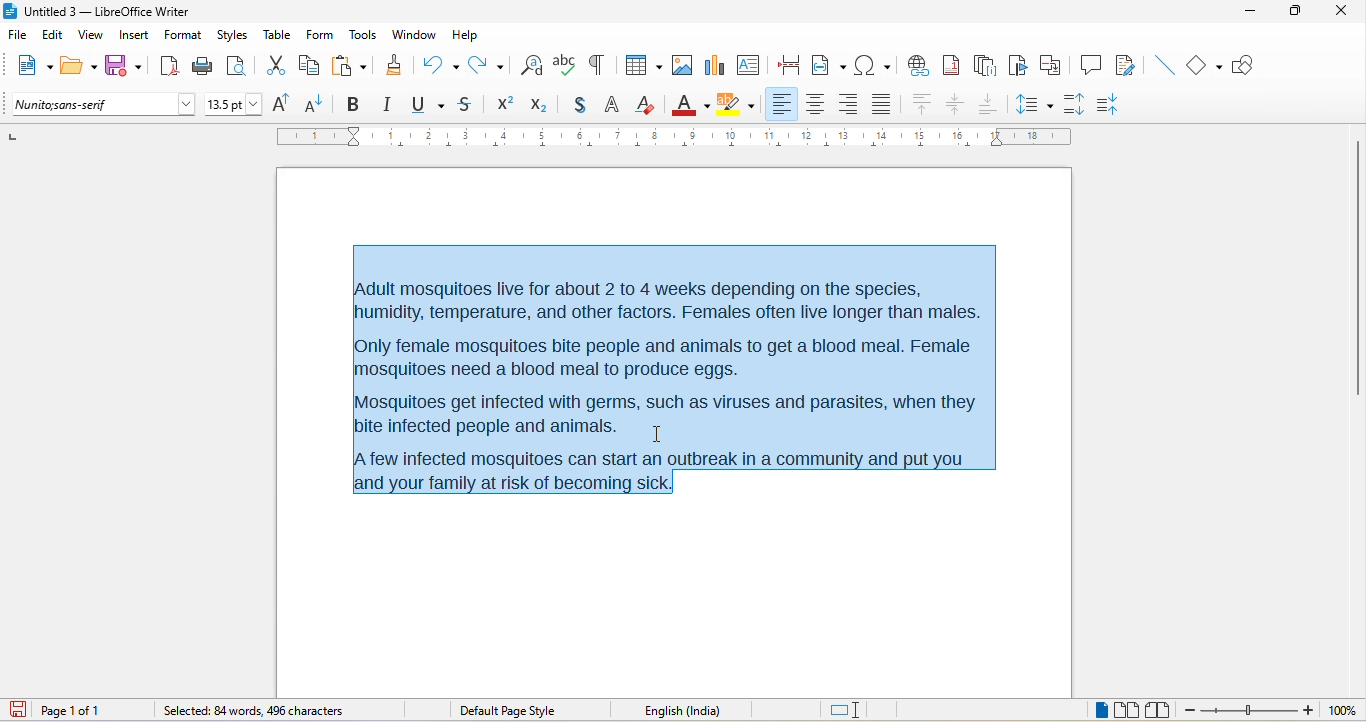 This screenshot has width=1366, height=722. I want to click on new, so click(31, 68).